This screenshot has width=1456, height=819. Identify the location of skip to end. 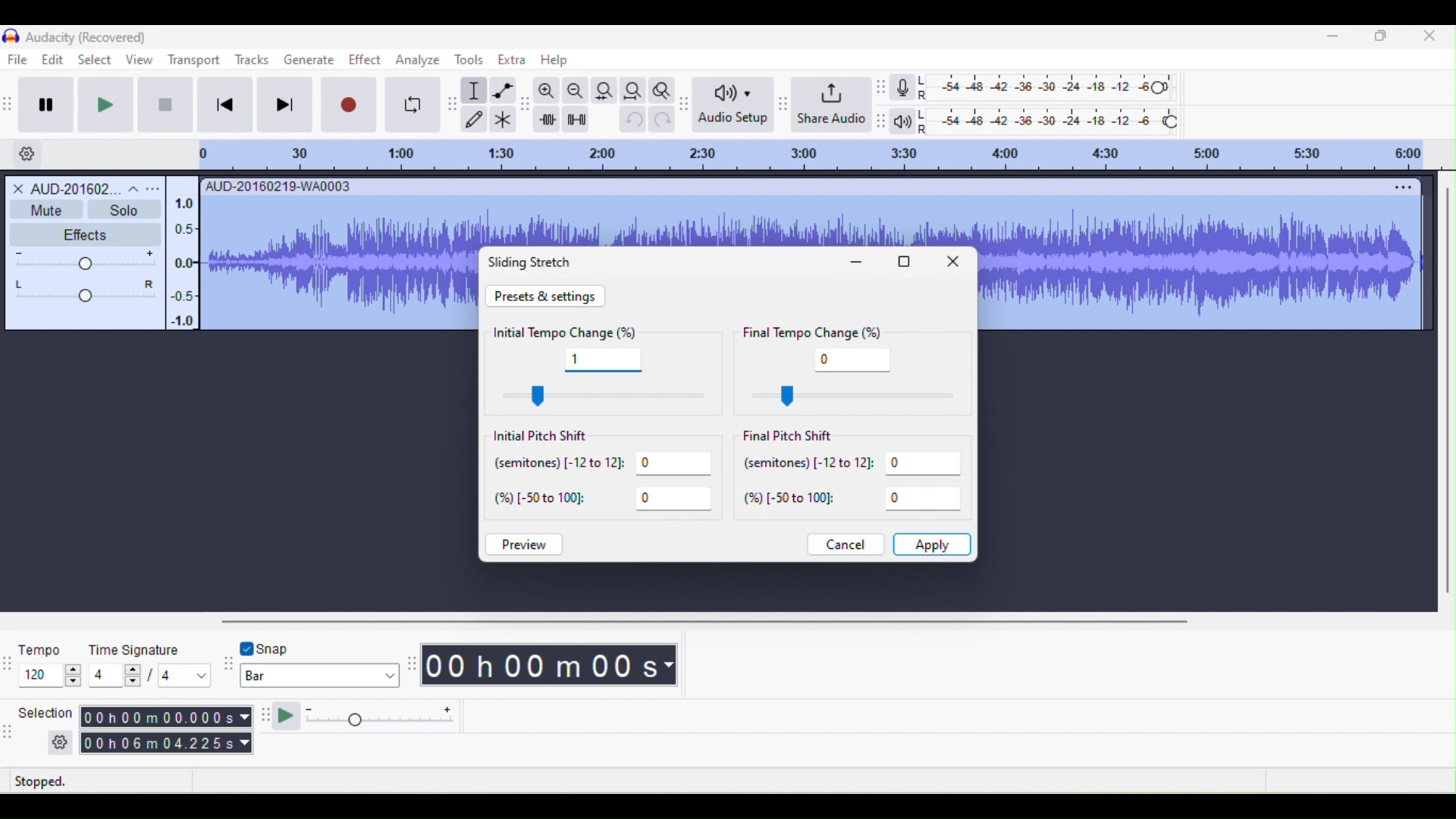
(287, 107).